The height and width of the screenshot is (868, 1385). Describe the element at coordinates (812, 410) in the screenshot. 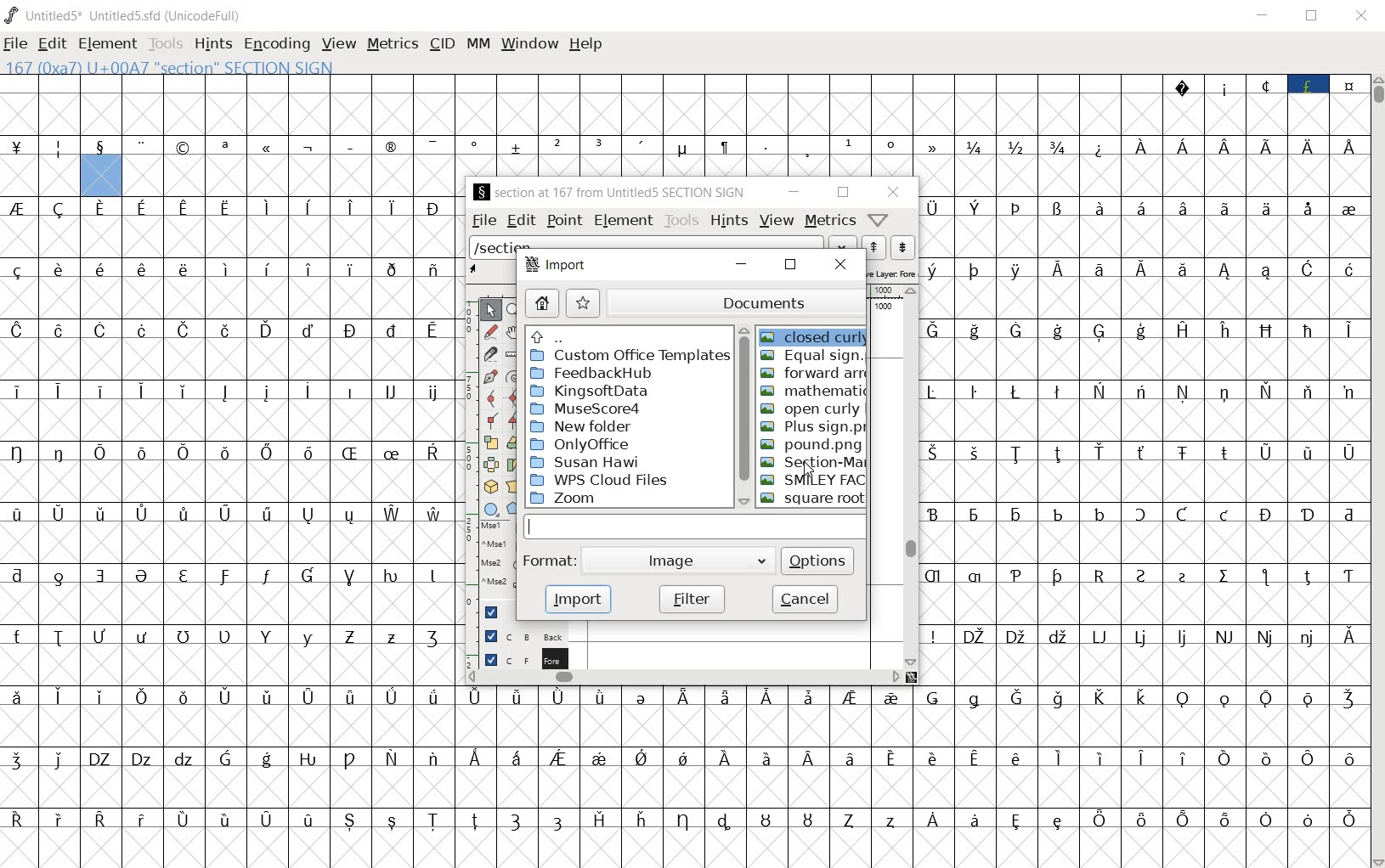

I see `OPEN CURLY` at that location.